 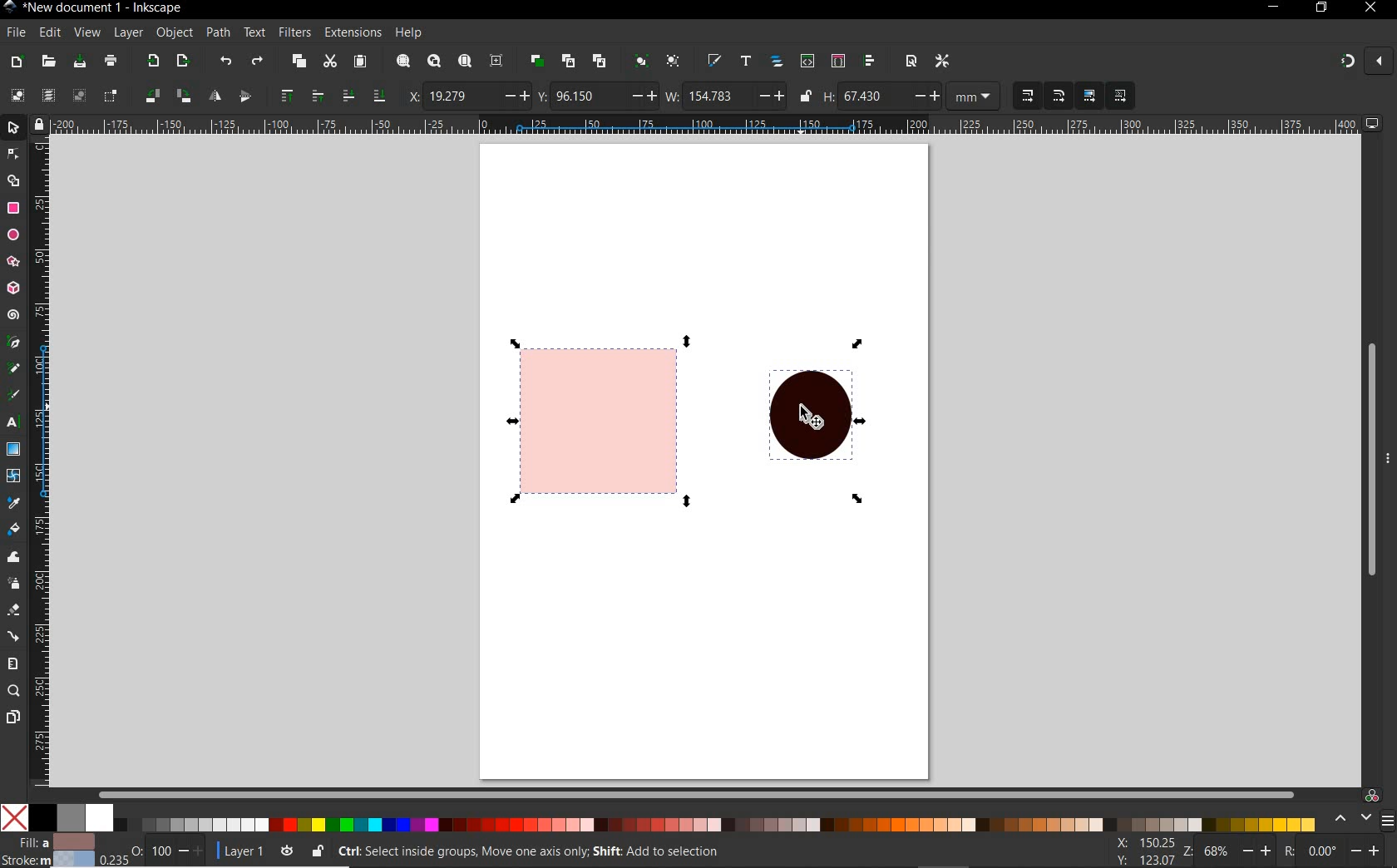 What do you see at coordinates (869, 62) in the screenshot?
I see `open align and distribu` at bounding box center [869, 62].